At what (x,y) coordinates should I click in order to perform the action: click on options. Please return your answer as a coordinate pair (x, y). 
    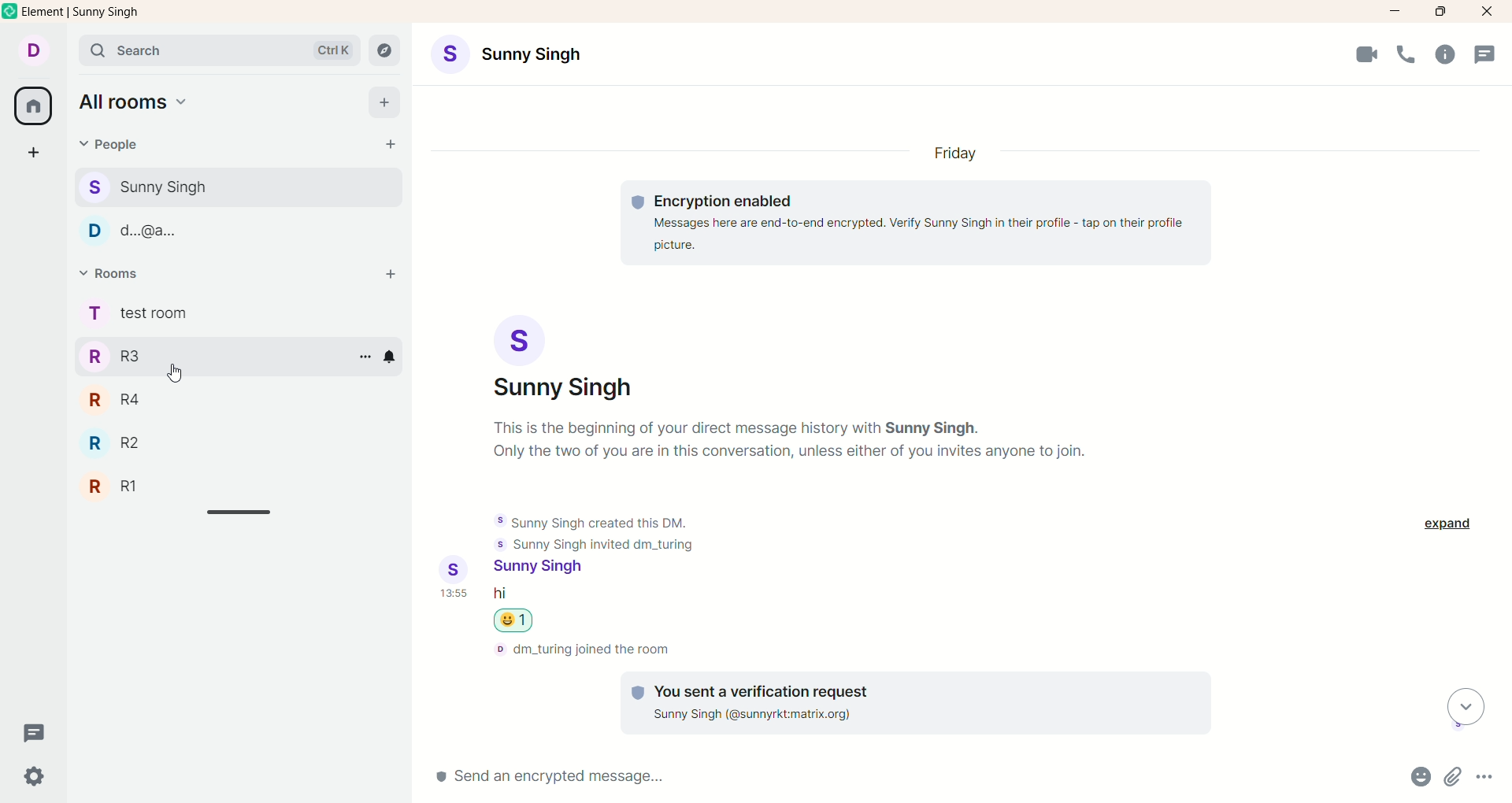
    Looking at the image, I should click on (365, 356).